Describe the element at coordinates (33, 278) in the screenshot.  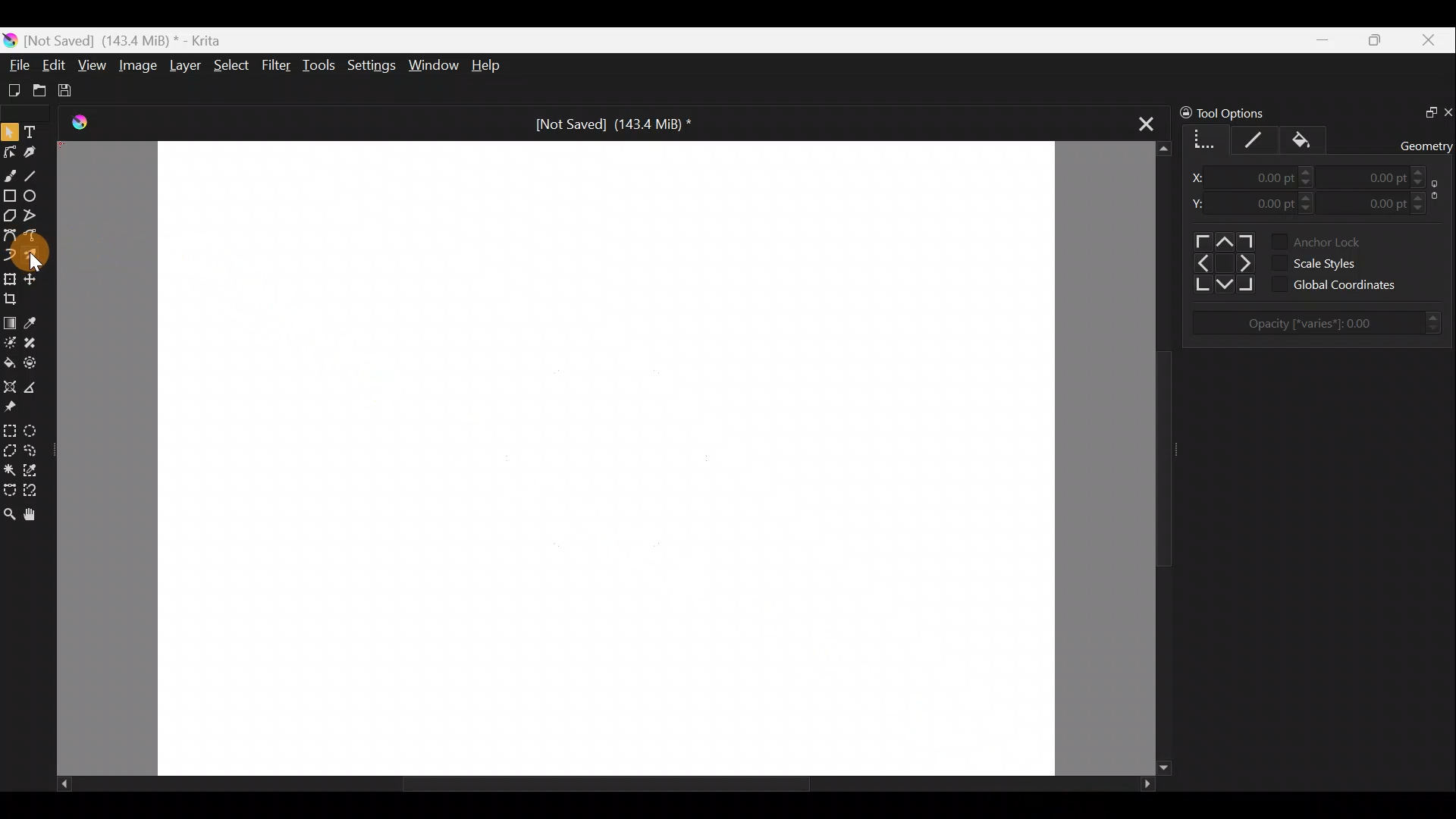
I see `Move a layer` at that location.